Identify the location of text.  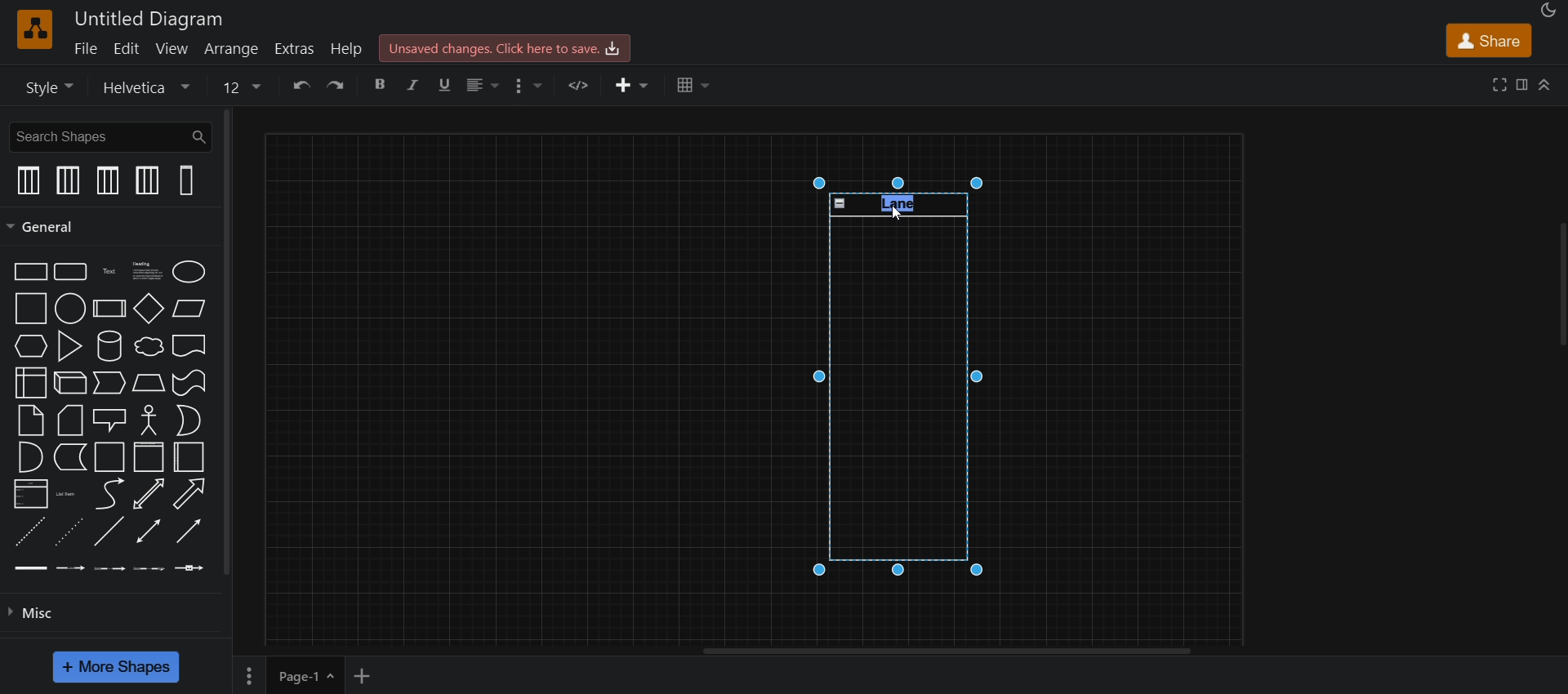
(109, 269).